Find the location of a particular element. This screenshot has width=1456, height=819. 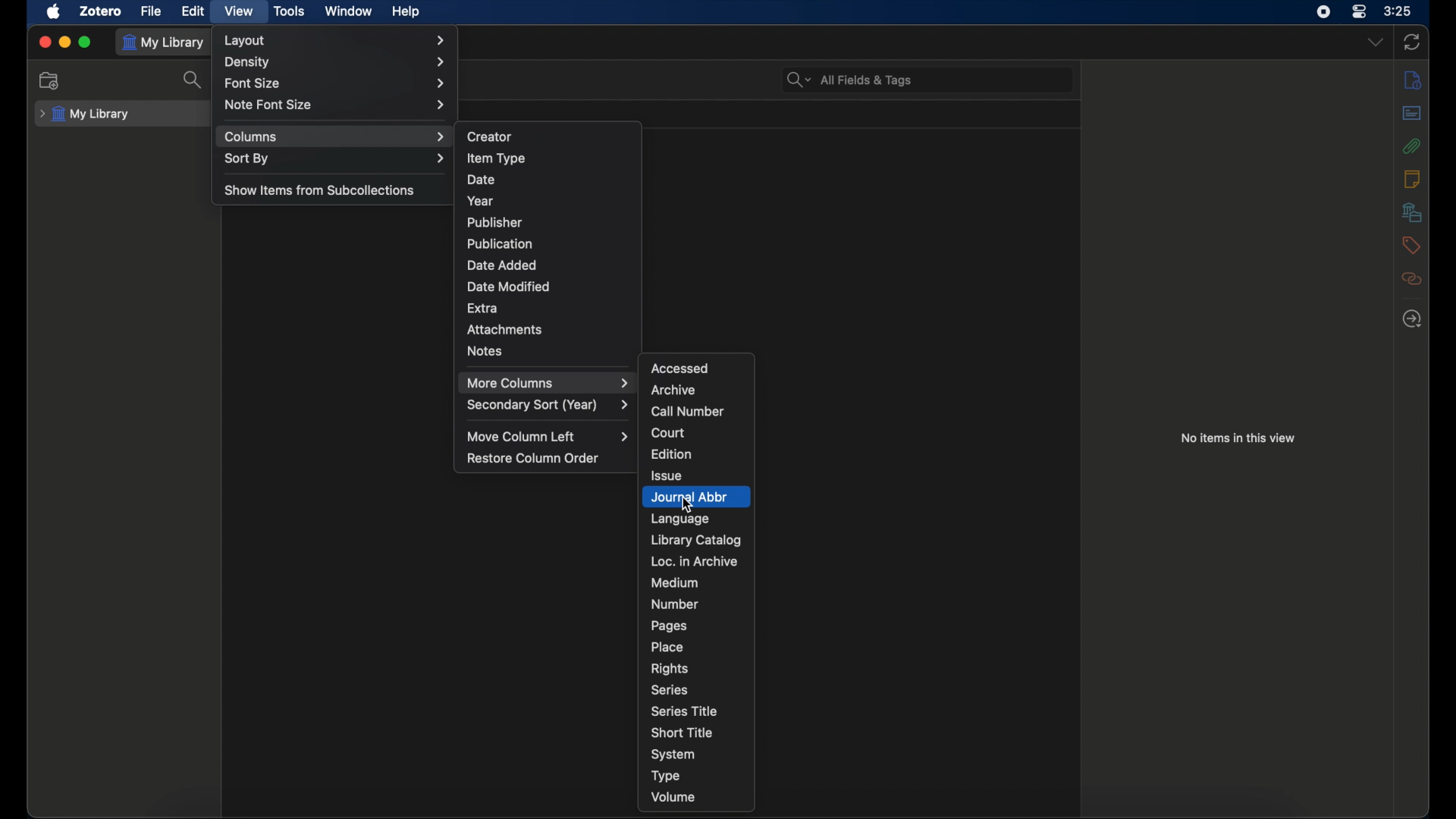

number is located at coordinates (675, 604).